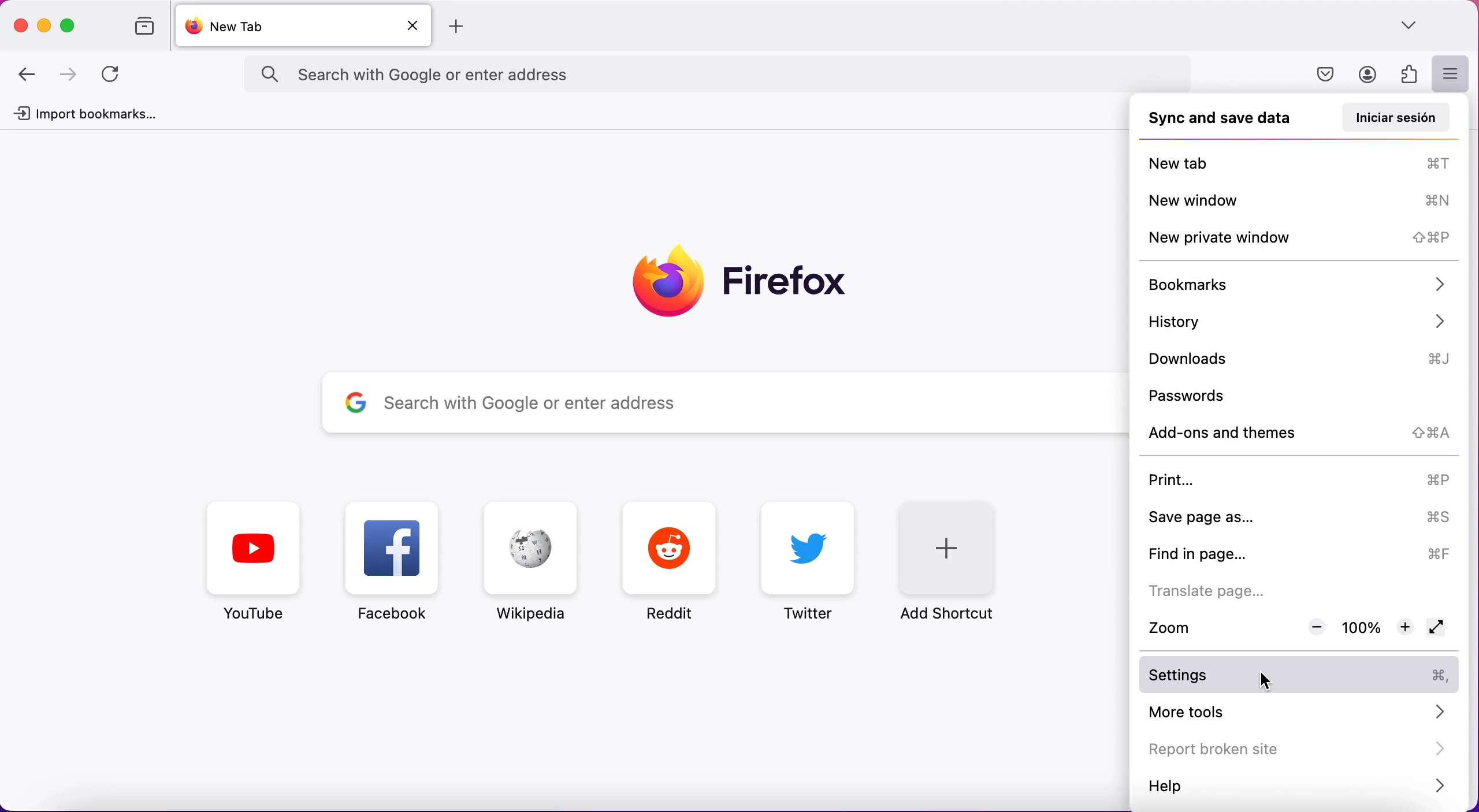 The height and width of the screenshot is (812, 1479). Describe the element at coordinates (114, 75) in the screenshot. I see `reload current page` at that location.